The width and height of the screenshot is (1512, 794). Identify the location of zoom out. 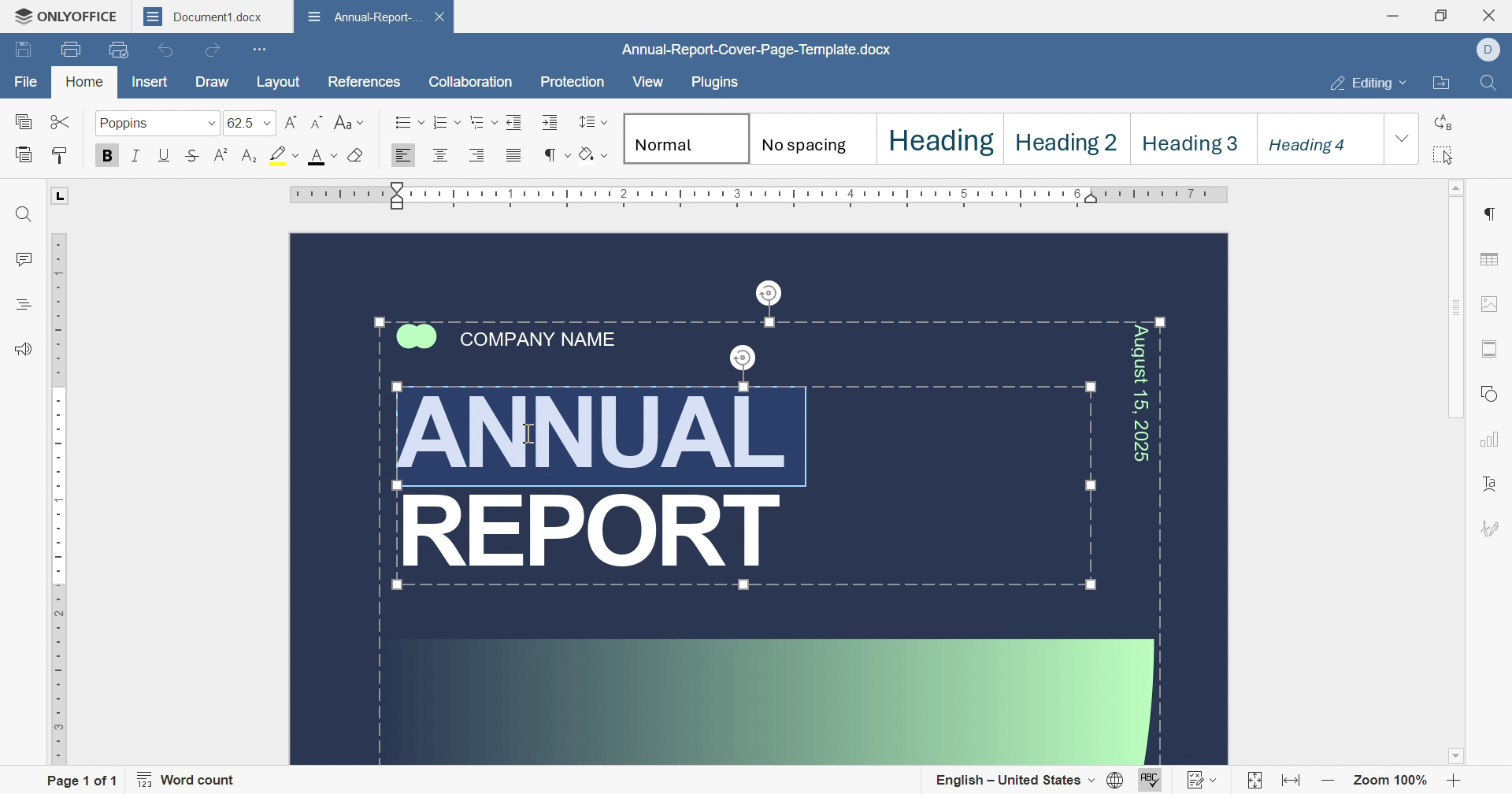
(1328, 783).